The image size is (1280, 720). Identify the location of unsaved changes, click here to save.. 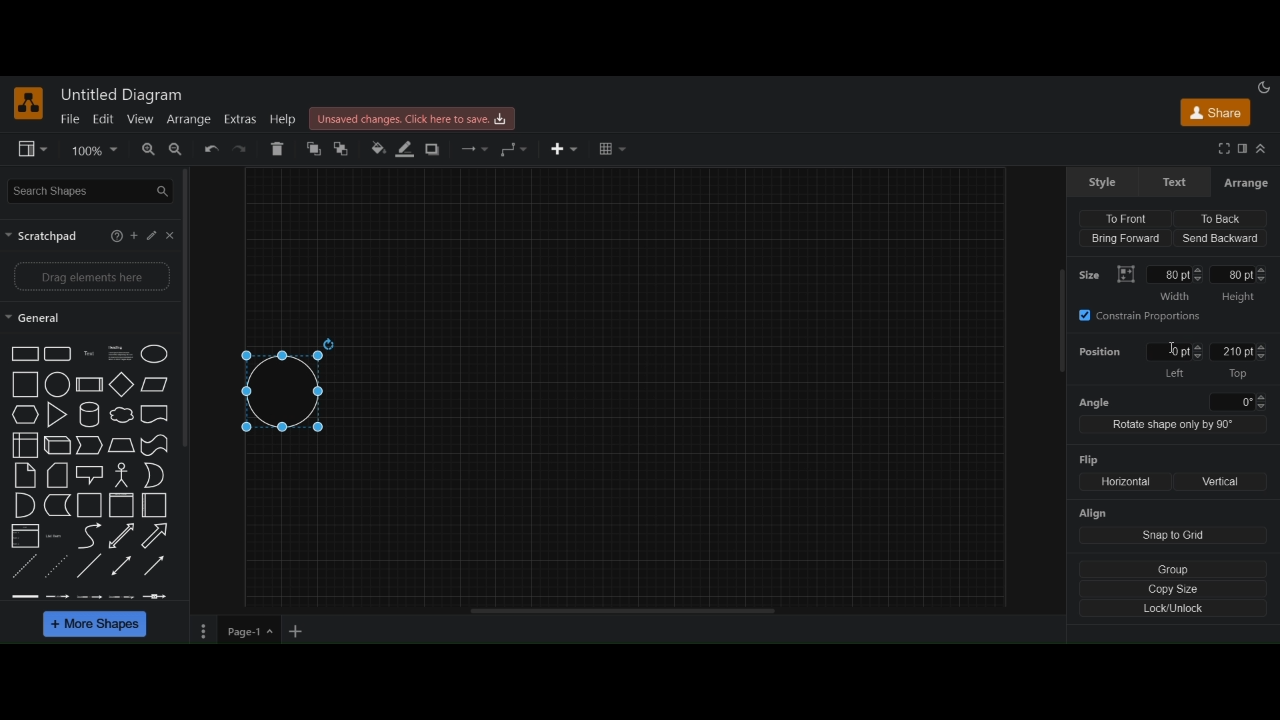
(415, 119).